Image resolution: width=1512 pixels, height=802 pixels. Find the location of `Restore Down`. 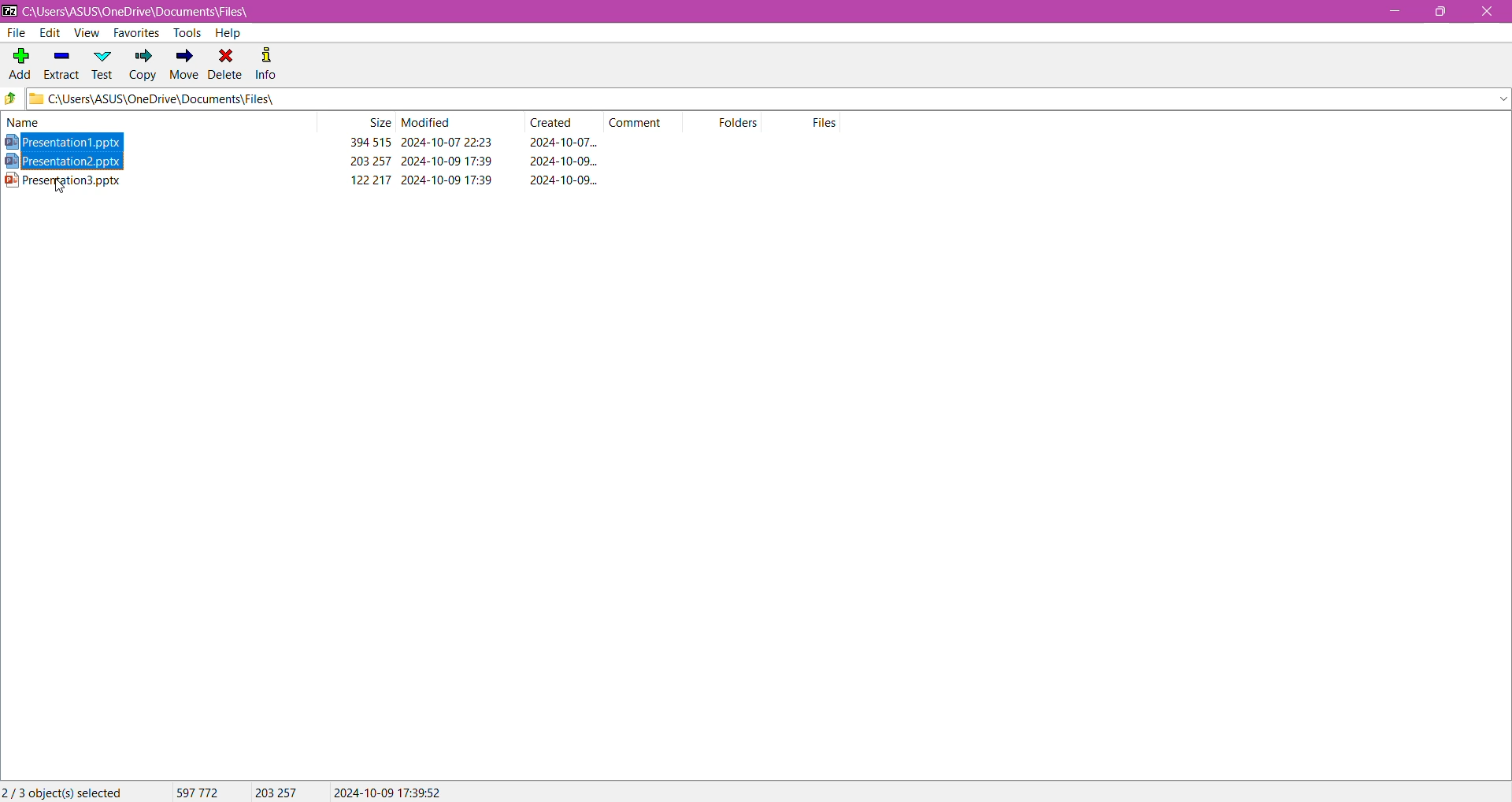

Restore Down is located at coordinates (1446, 11).